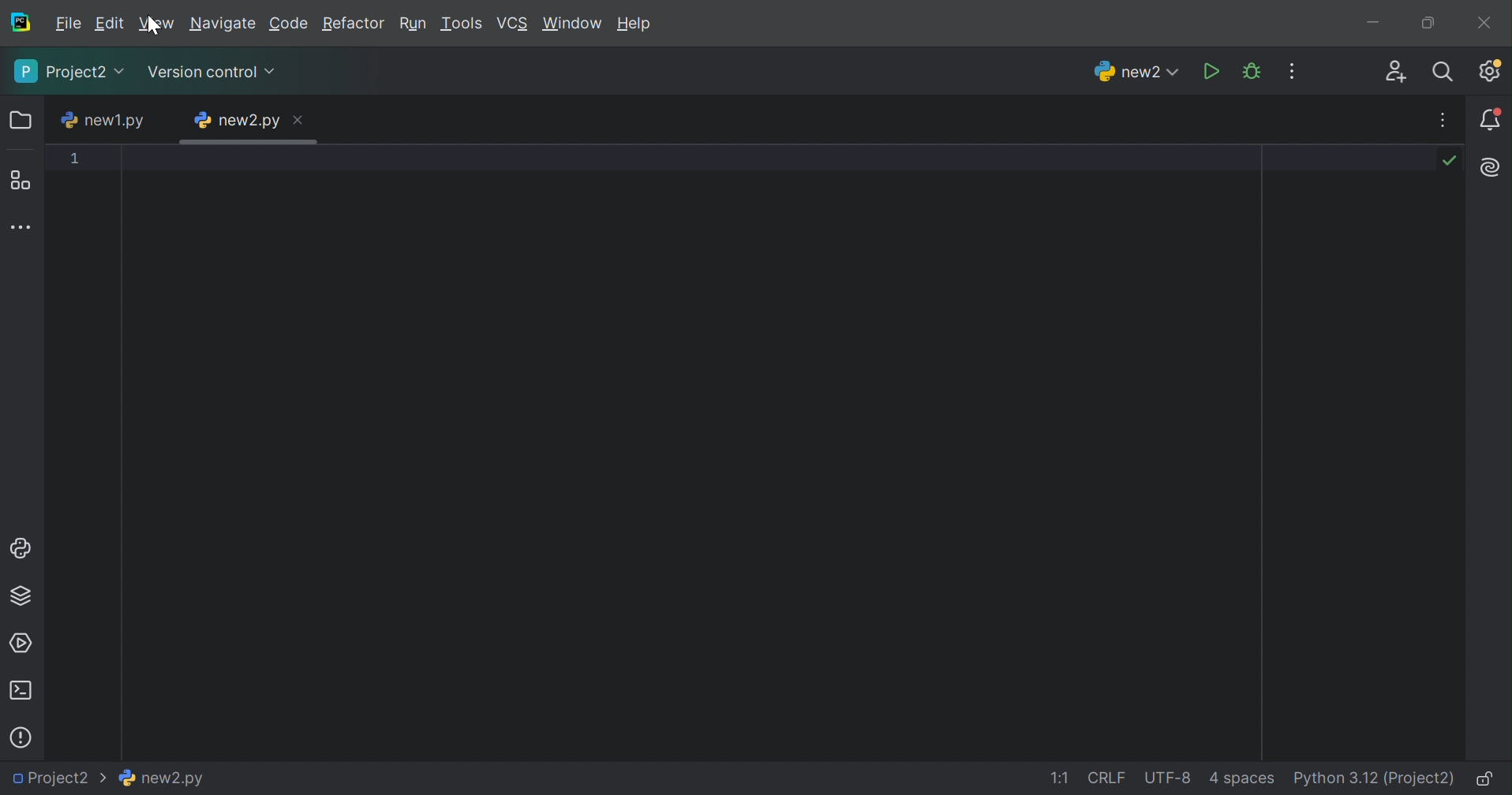 Image resolution: width=1512 pixels, height=795 pixels. What do you see at coordinates (101, 120) in the screenshot?
I see `new1.py` at bounding box center [101, 120].